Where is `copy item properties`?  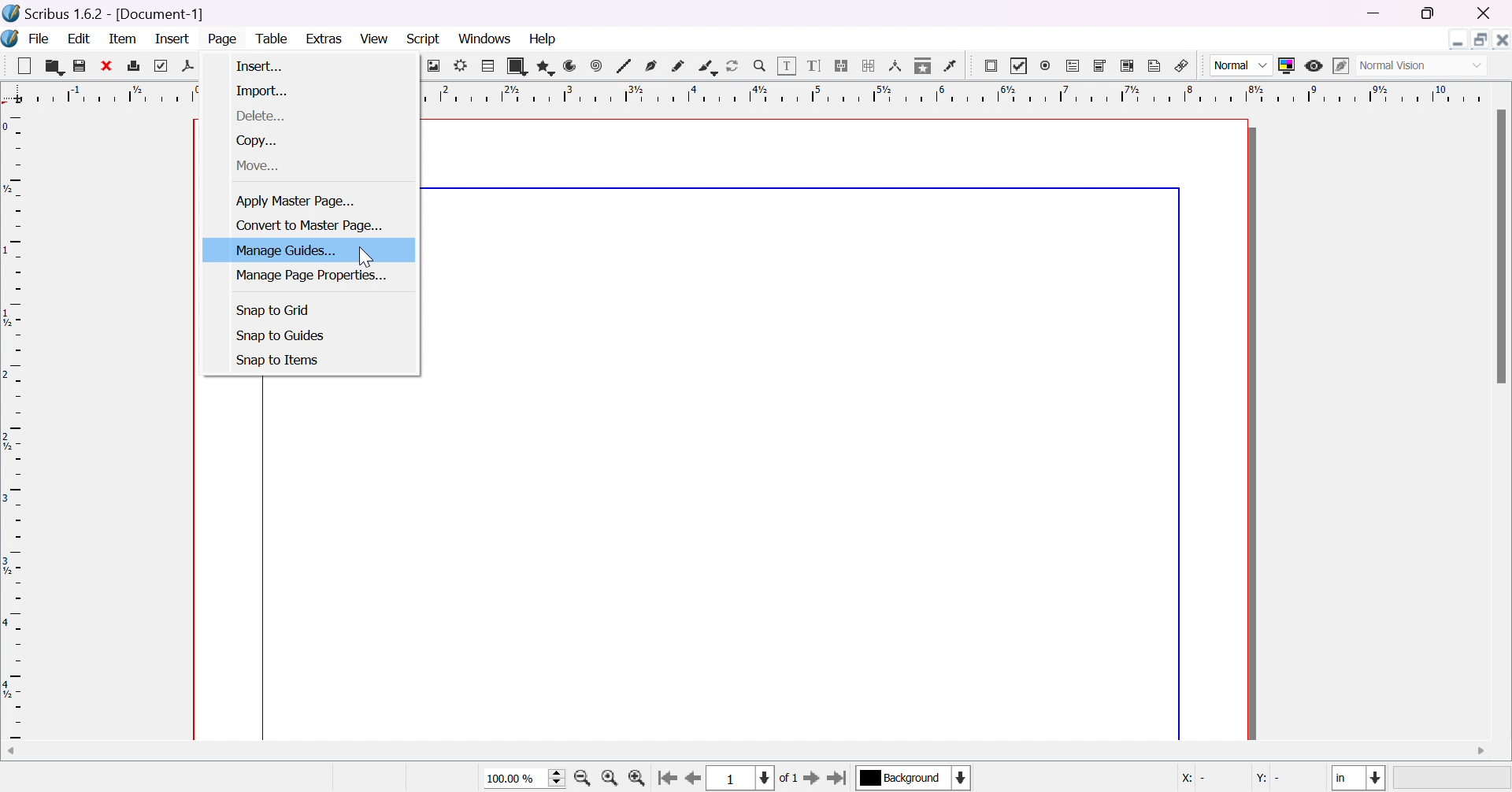
copy item properties is located at coordinates (925, 67).